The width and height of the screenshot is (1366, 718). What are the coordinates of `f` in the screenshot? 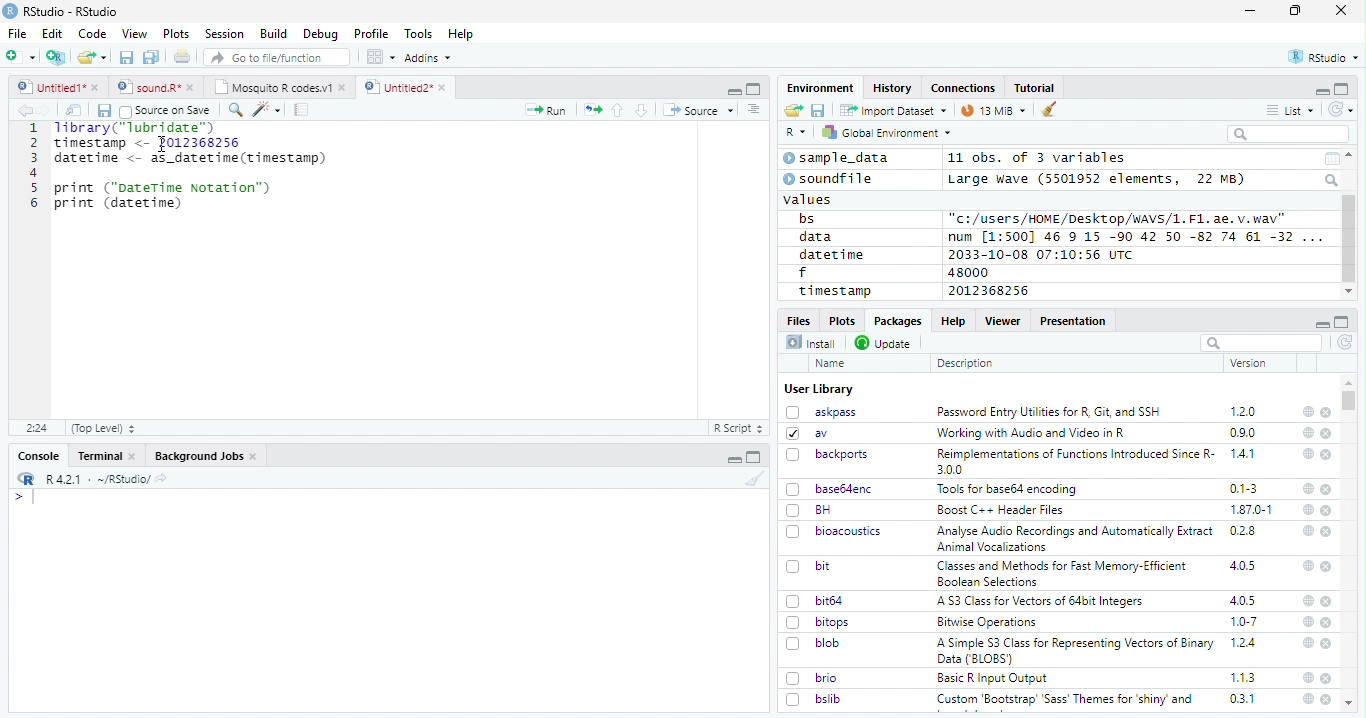 It's located at (803, 273).